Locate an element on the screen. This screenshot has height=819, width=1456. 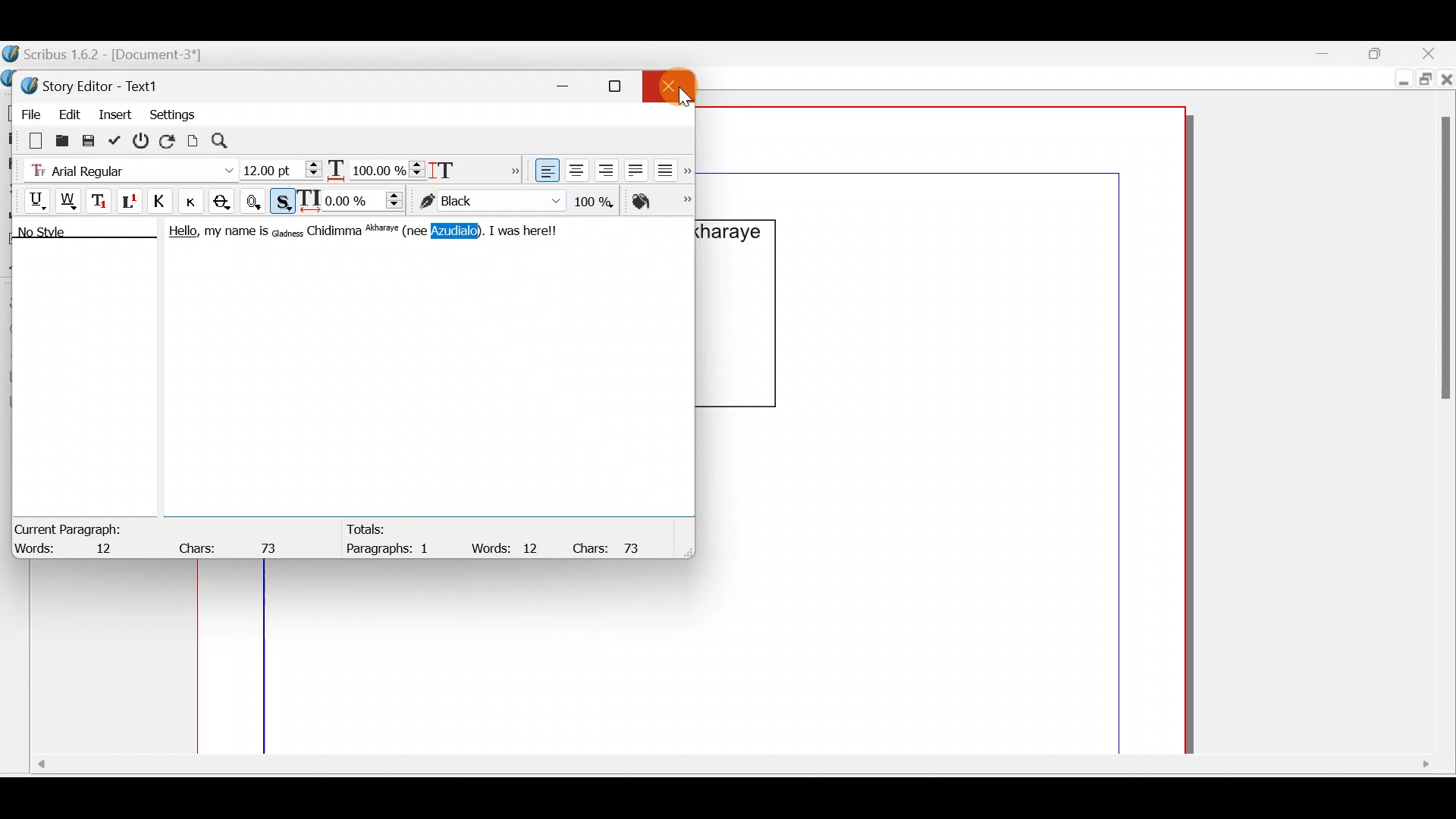
Load from file is located at coordinates (61, 140).